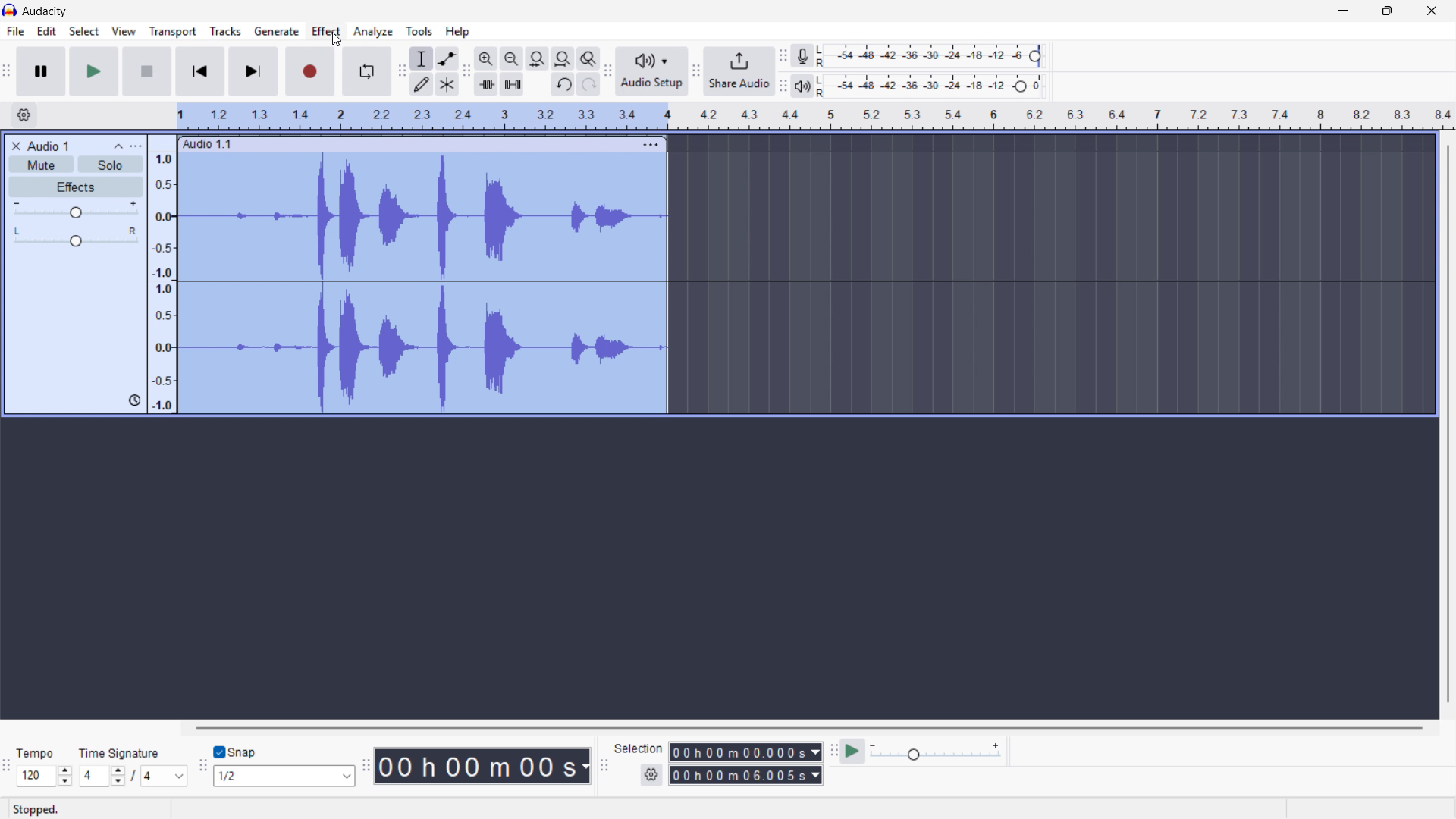 Image resolution: width=1456 pixels, height=819 pixels. What do you see at coordinates (458, 32) in the screenshot?
I see `Help` at bounding box center [458, 32].